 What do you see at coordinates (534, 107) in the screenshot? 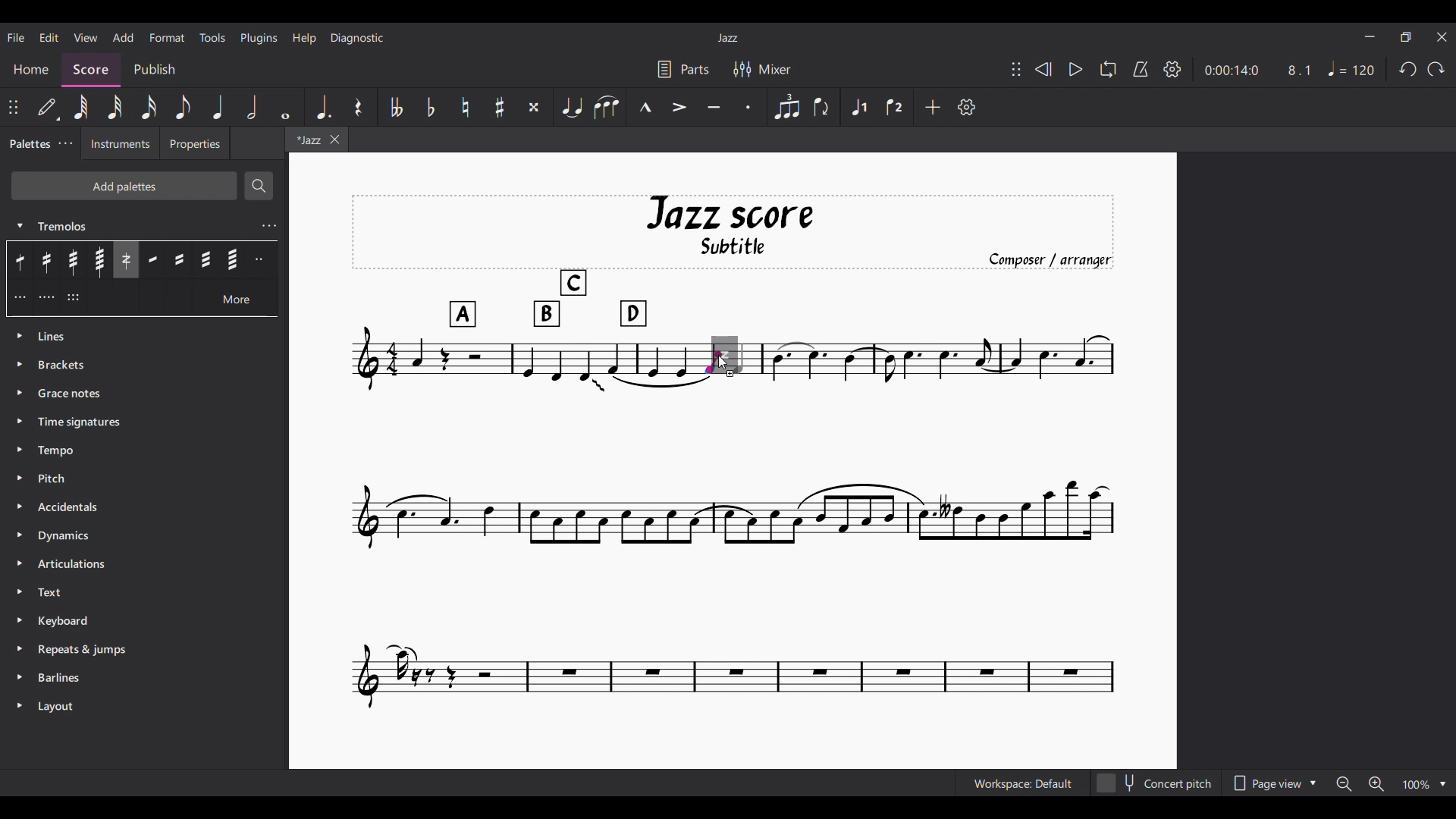
I see `Toggle double sharp` at bounding box center [534, 107].